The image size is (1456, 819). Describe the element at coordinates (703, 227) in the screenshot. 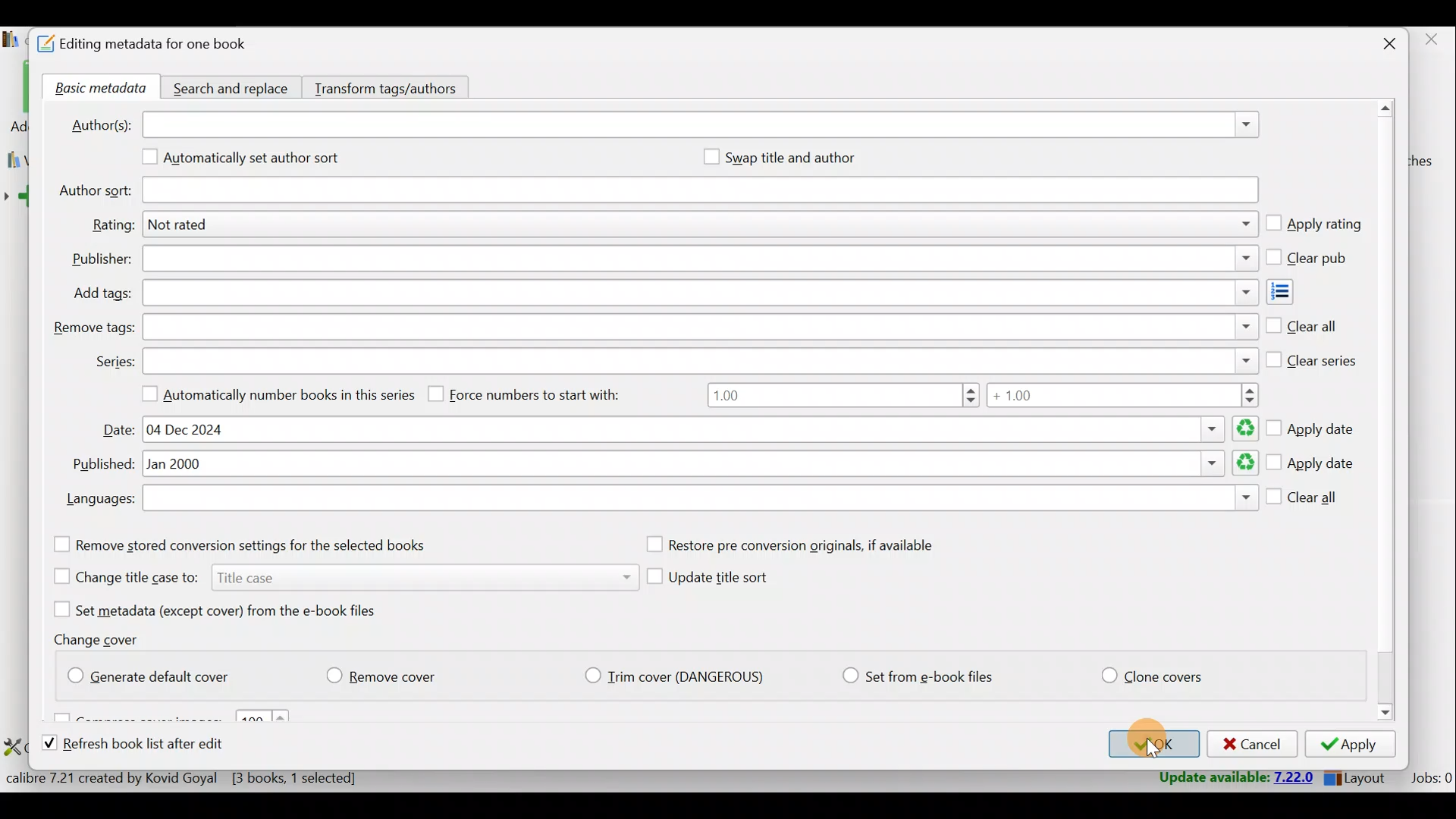

I see `Rating` at that location.